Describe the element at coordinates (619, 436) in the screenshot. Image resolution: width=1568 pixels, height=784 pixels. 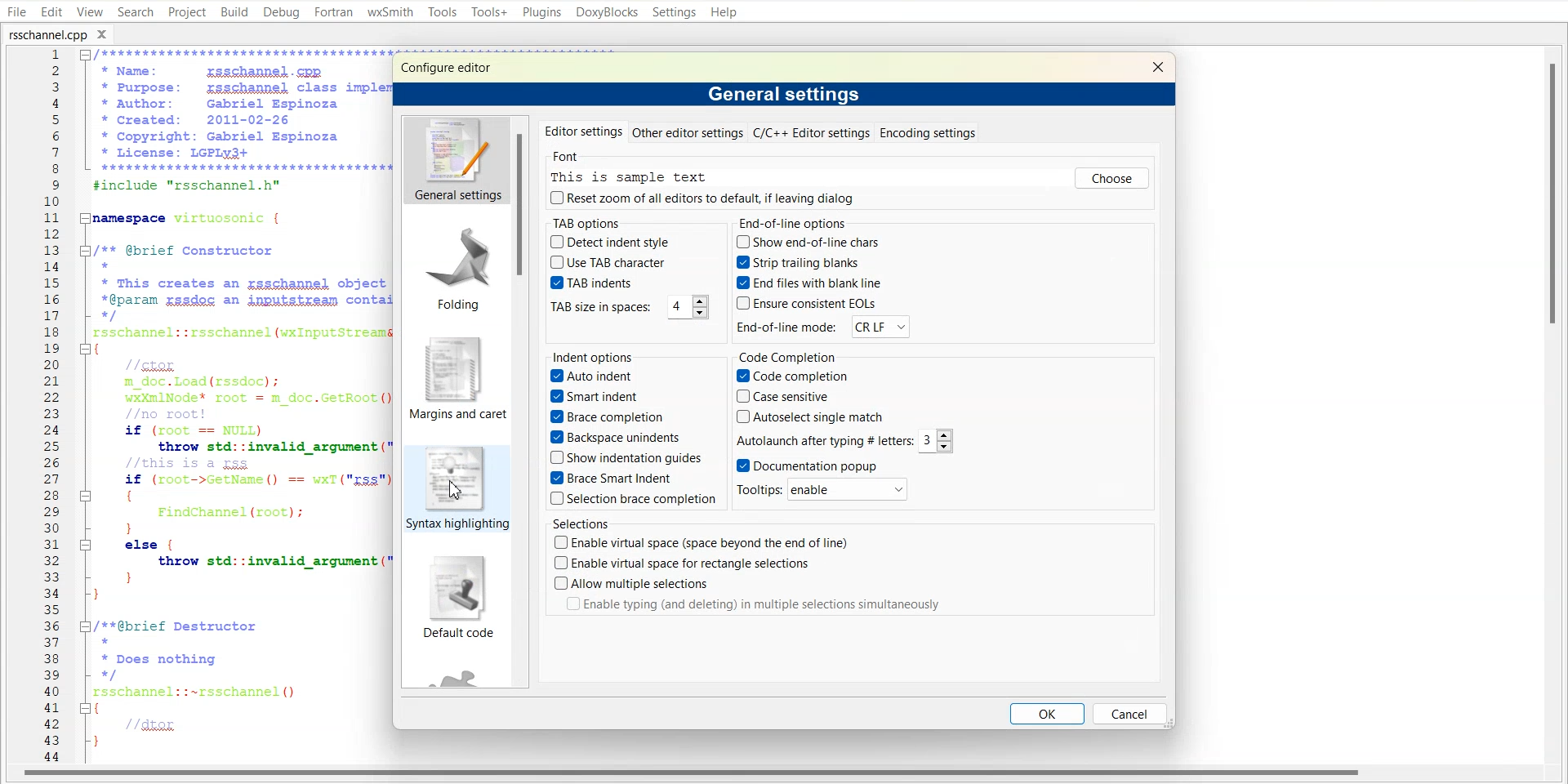
I see `Backspace unindents` at that location.